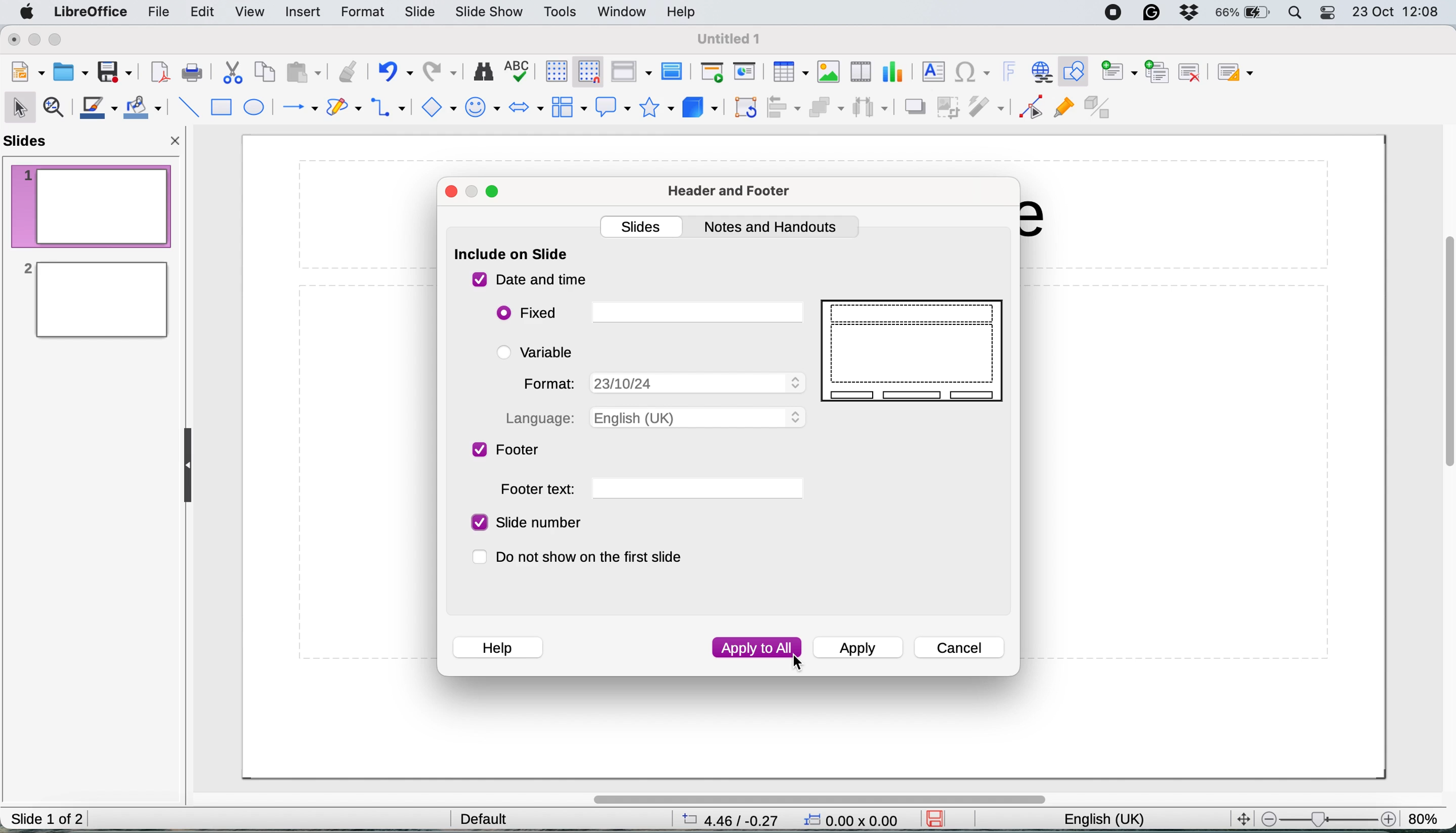  Describe the element at coordinates (266, 73) in the screenshot. I see `copy` at that location.